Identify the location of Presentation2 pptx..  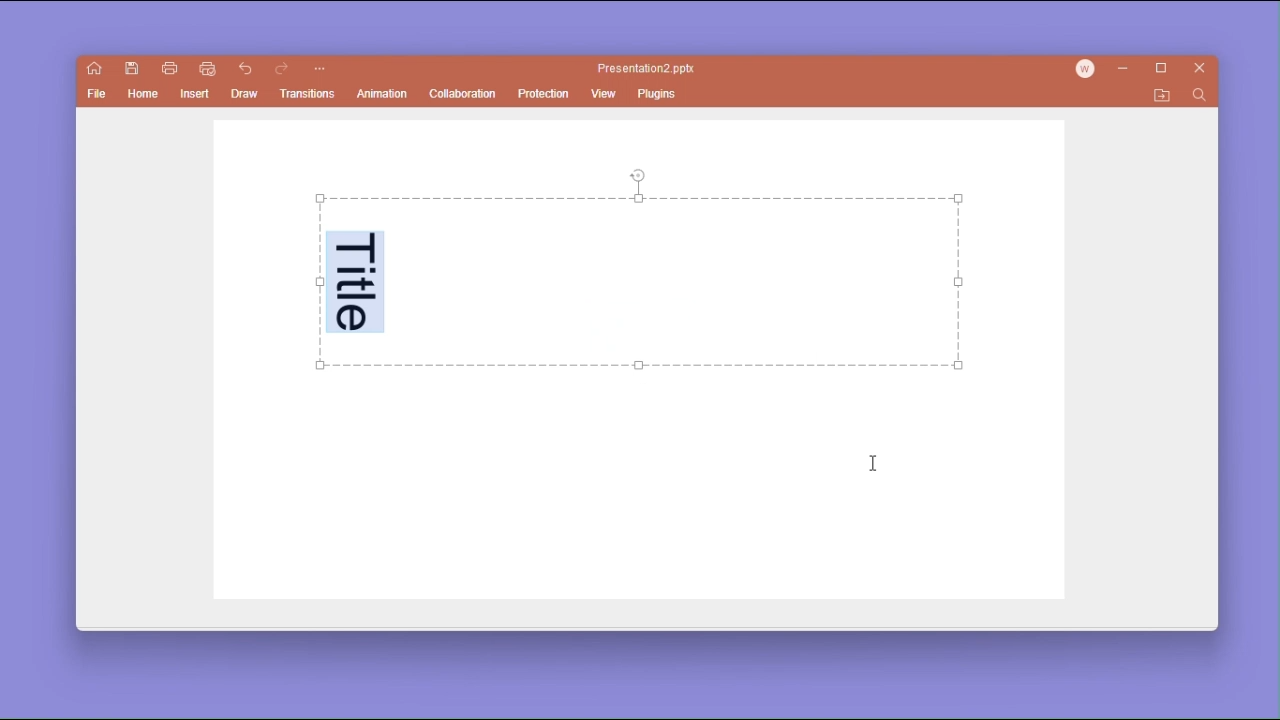
(649, 69).